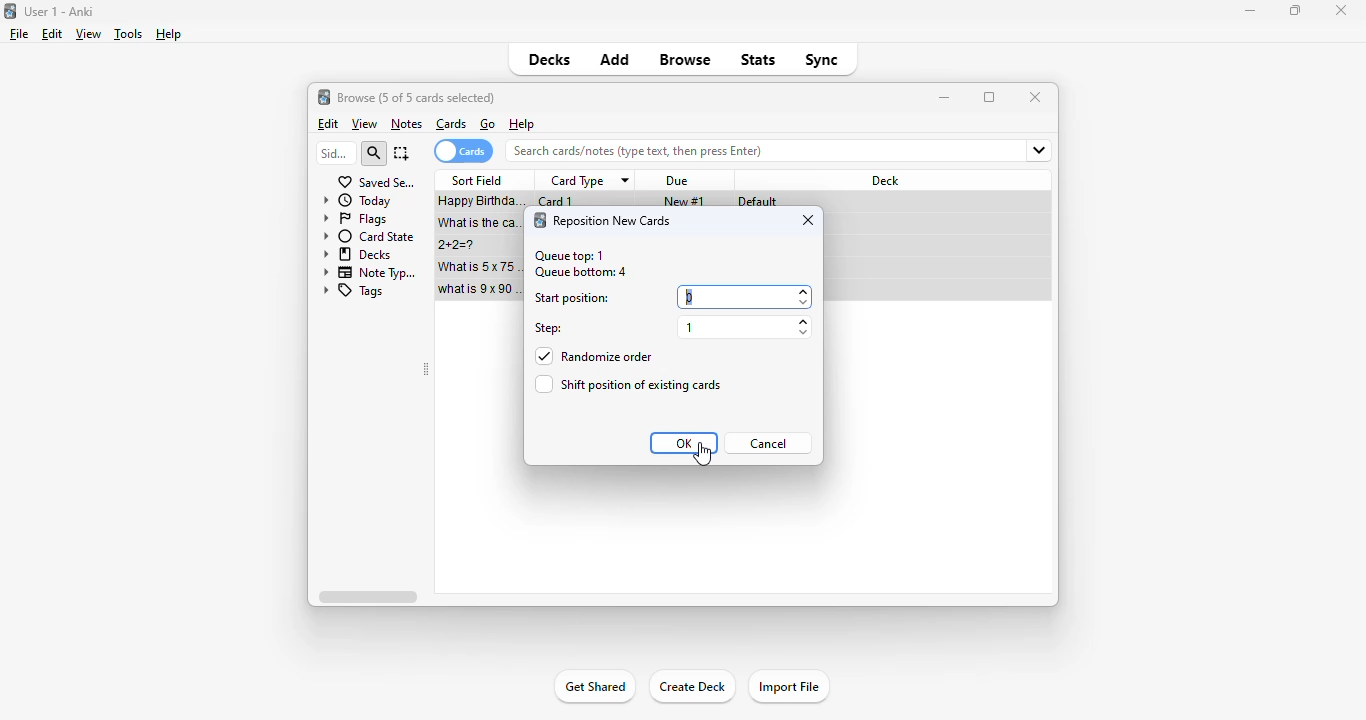  Describe the element at coordinates (483, 266) in the screenshot. I see `what is 5x75=?` at that location.